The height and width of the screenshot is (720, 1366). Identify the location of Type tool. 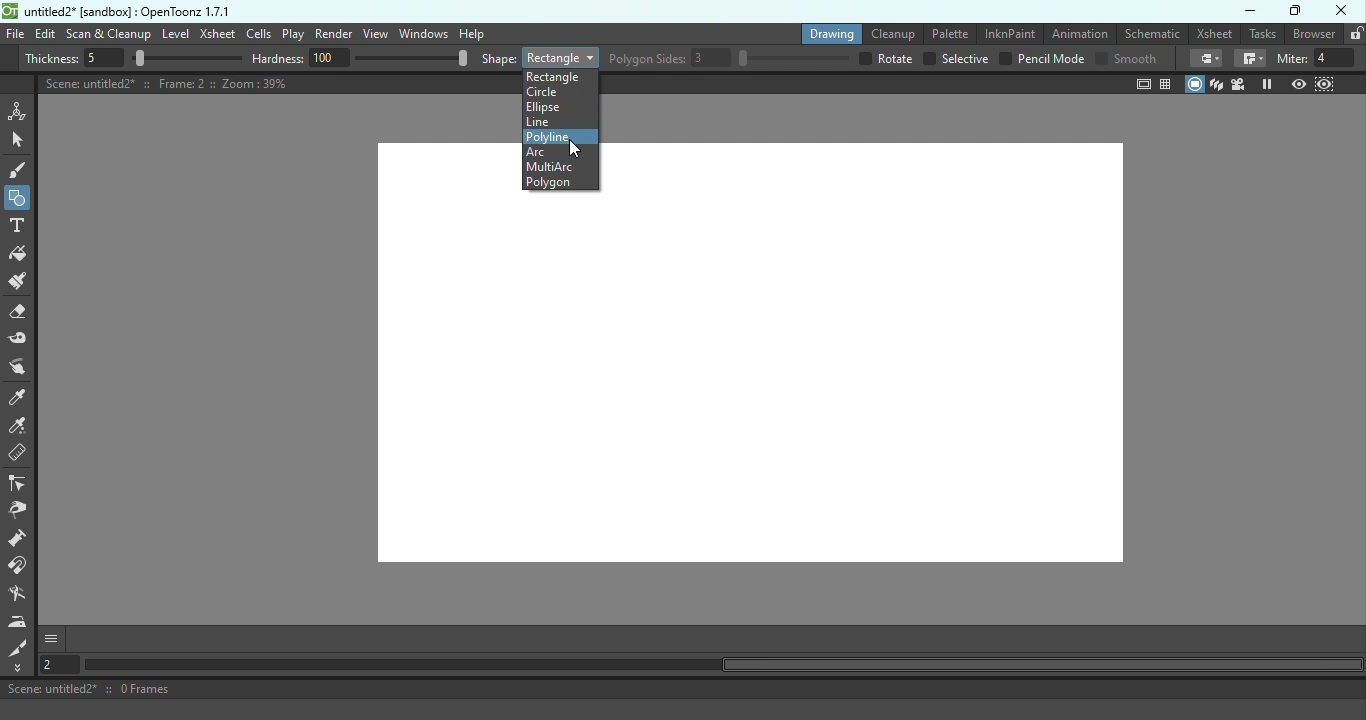
(20, 227).